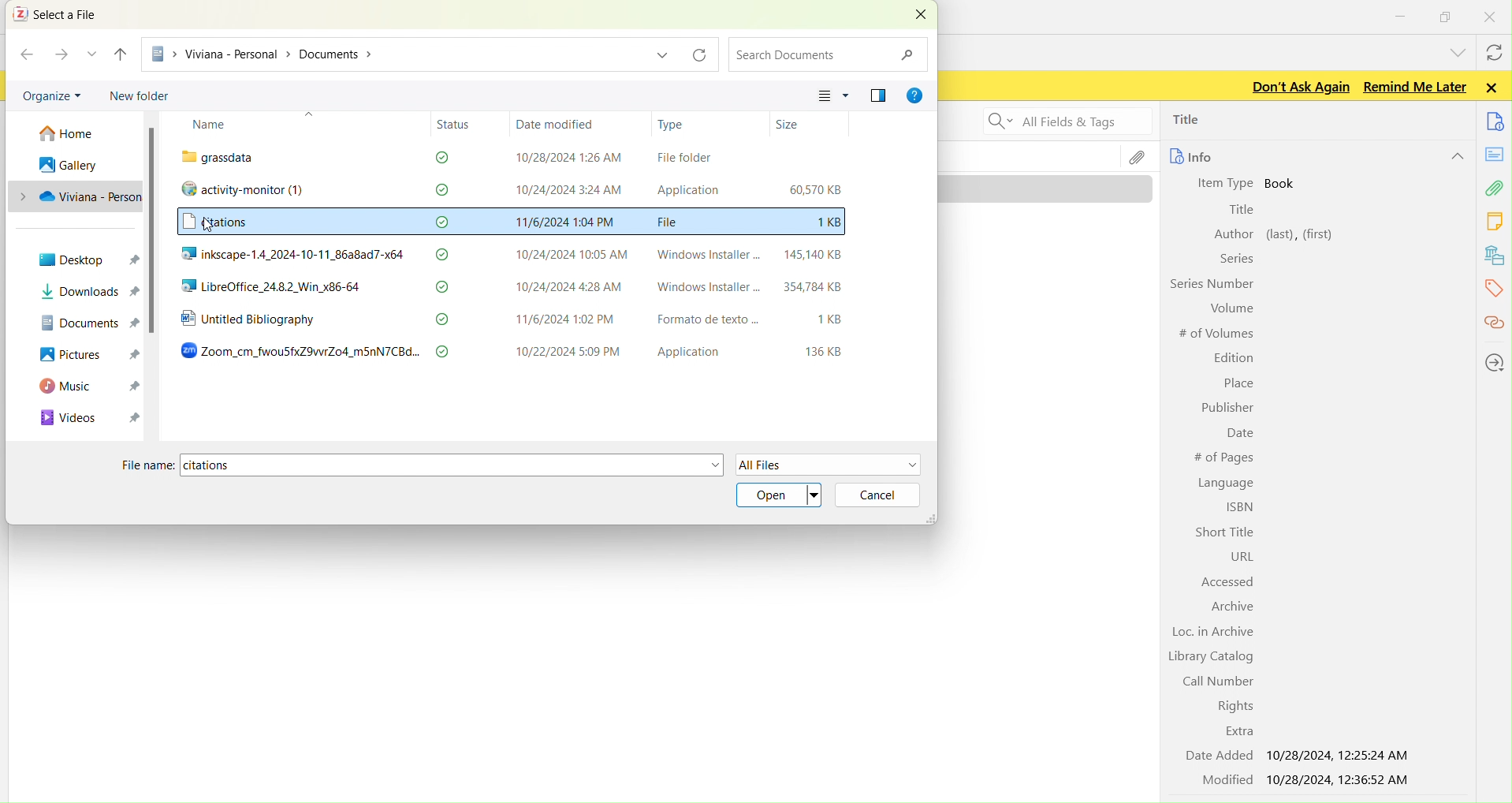  I want to click on DOCUMENTS, so click(76, 322).